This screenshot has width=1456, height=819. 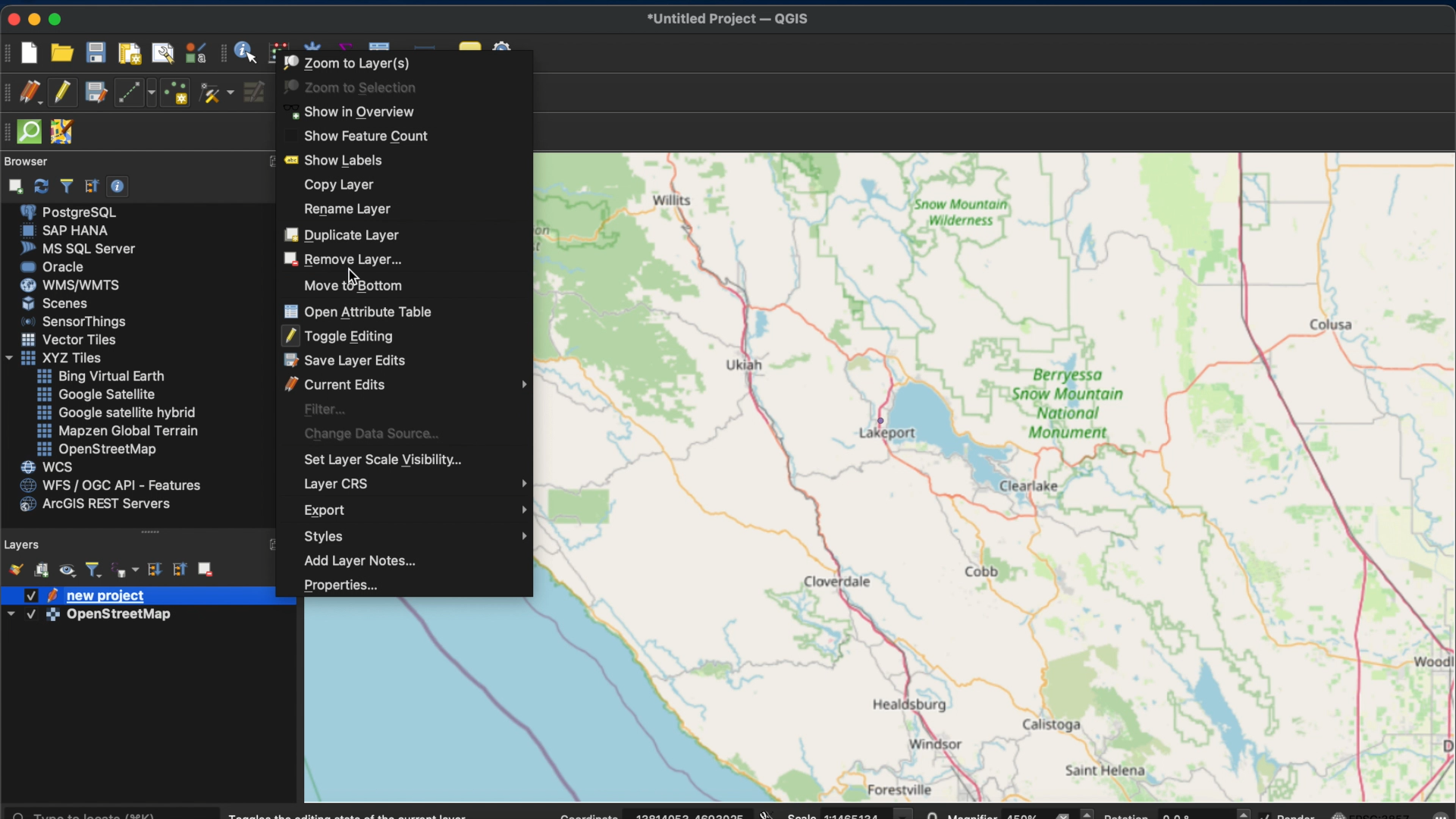 I want to click on MS sql server, so click(x=77, y=248).